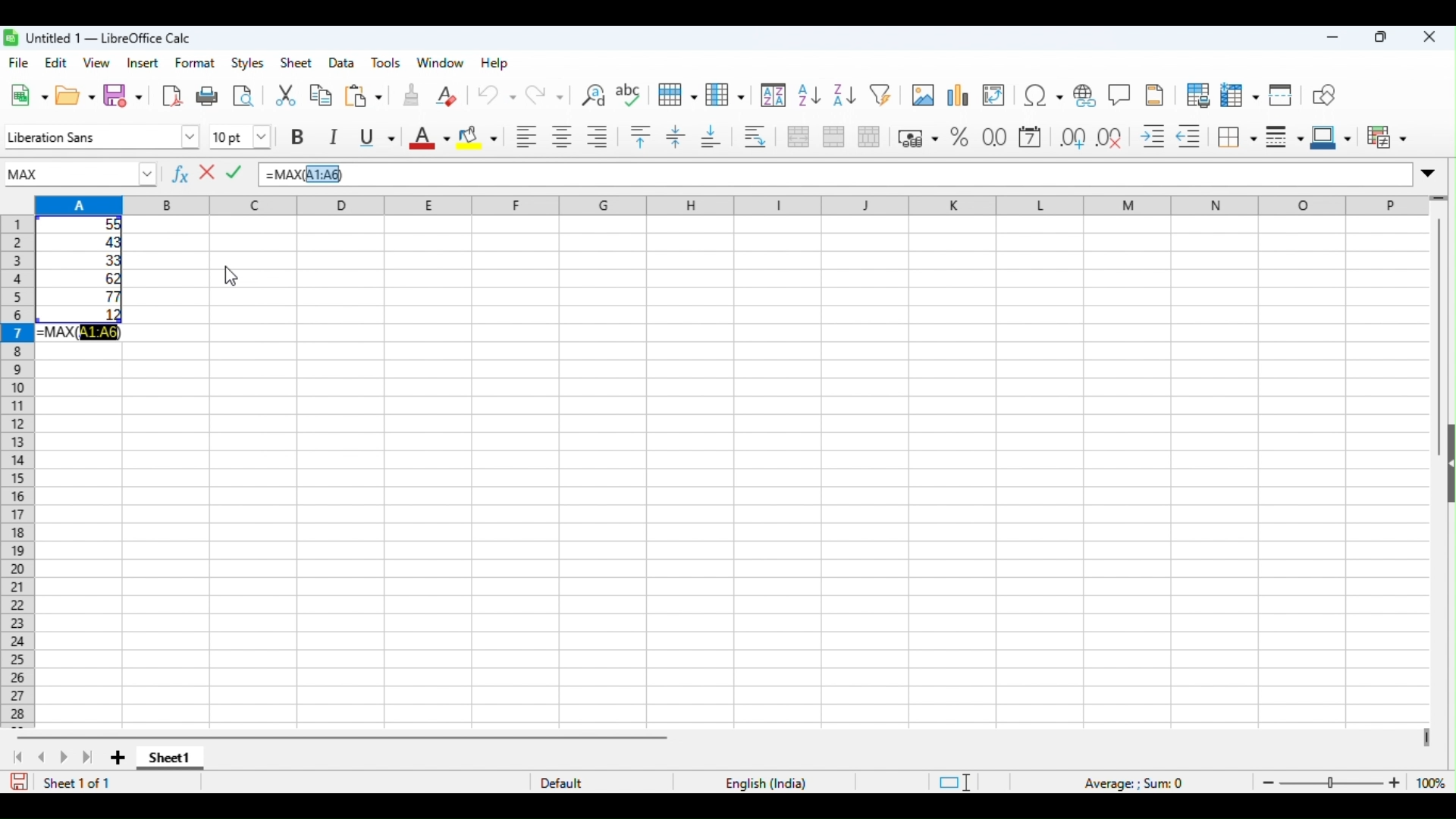  What do you see at coordinates (563, 137) in the screenshot?
I see `align center` at bounding box center [563, 137].